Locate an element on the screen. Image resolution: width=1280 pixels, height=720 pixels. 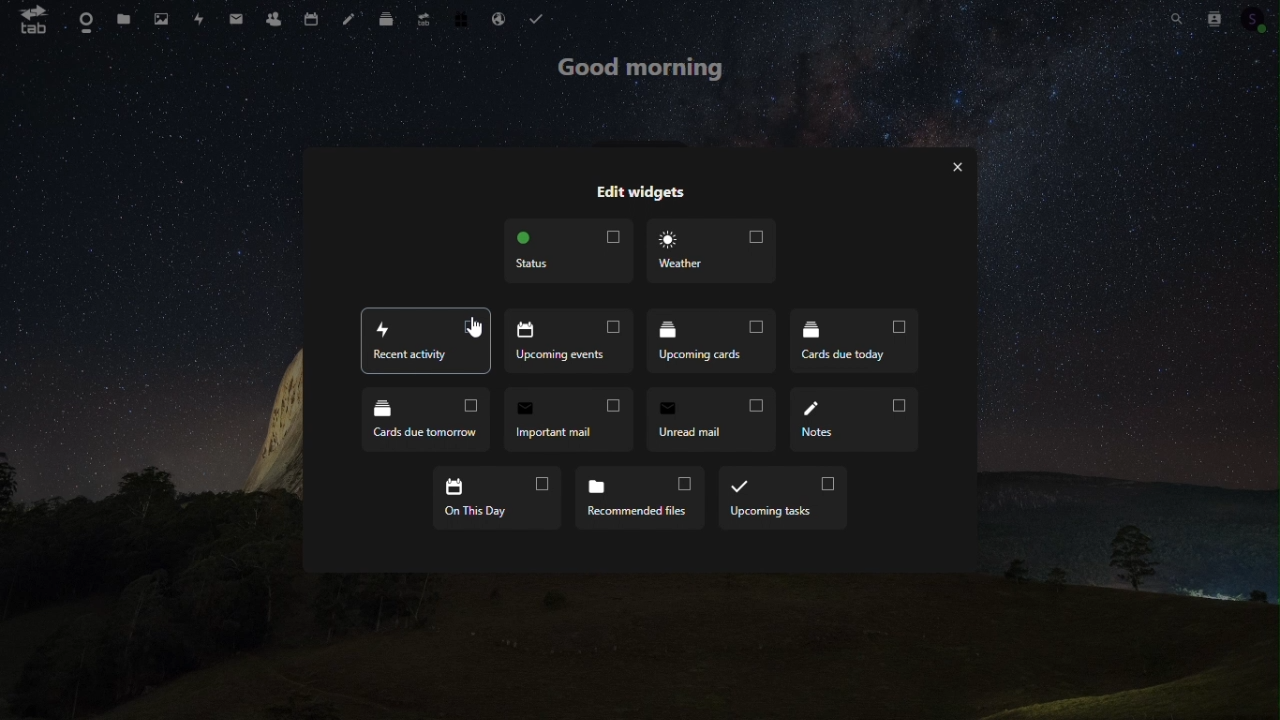
Email hosting is located at coordinates (501, 18).